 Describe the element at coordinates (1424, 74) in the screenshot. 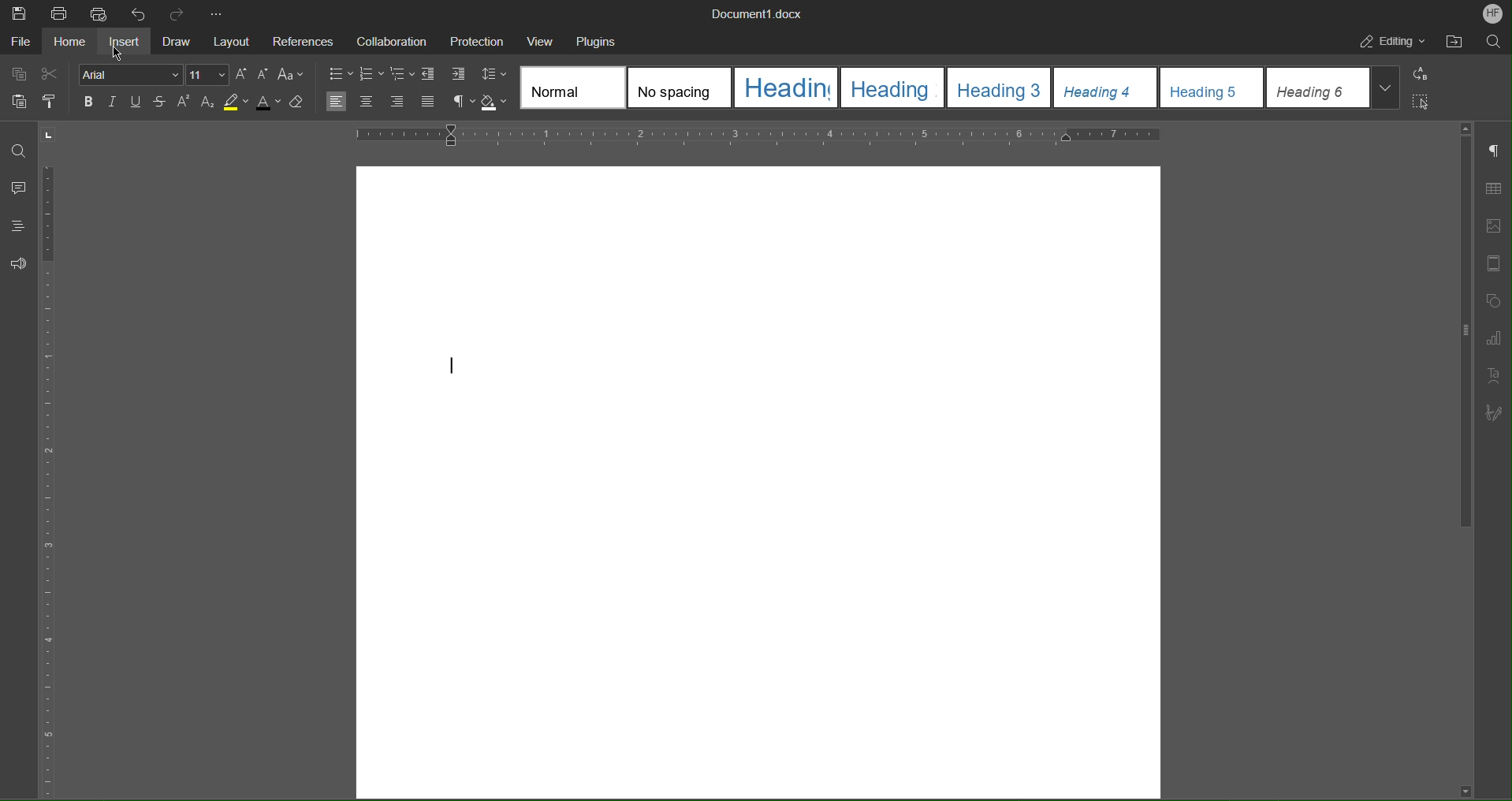

I see `Replace` at that location.